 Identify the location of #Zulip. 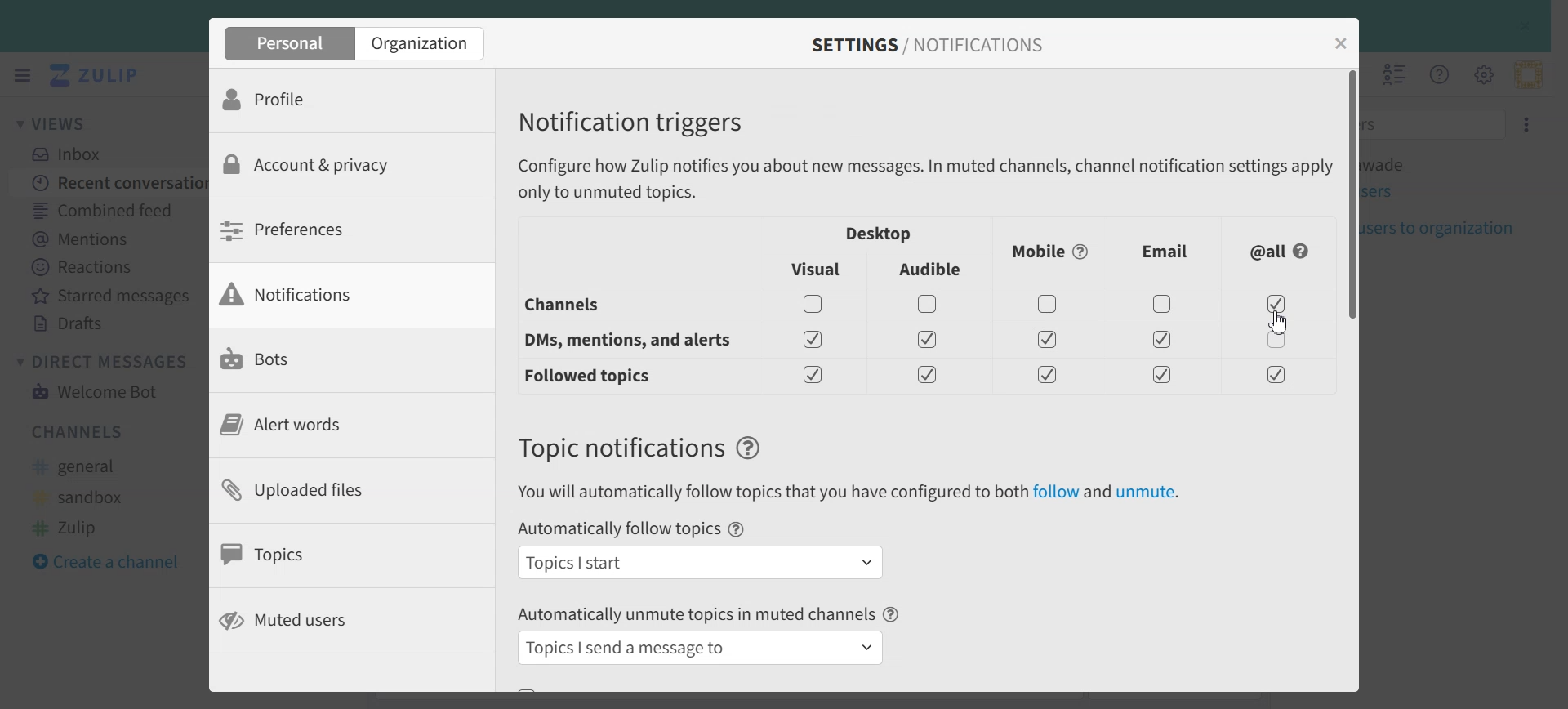
(79, 526).